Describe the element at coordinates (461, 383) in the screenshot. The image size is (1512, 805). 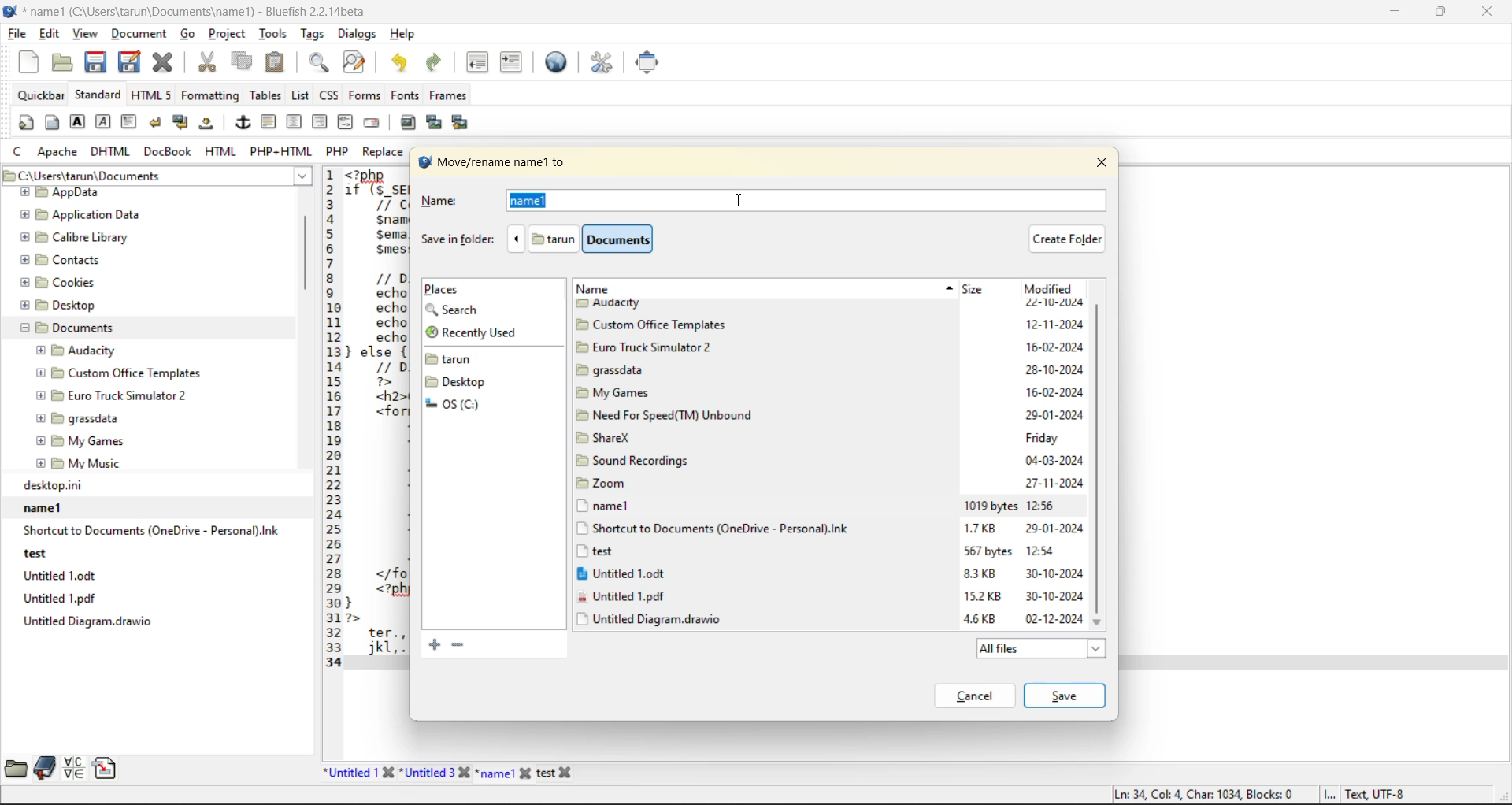
I see `folders and files` at that location.